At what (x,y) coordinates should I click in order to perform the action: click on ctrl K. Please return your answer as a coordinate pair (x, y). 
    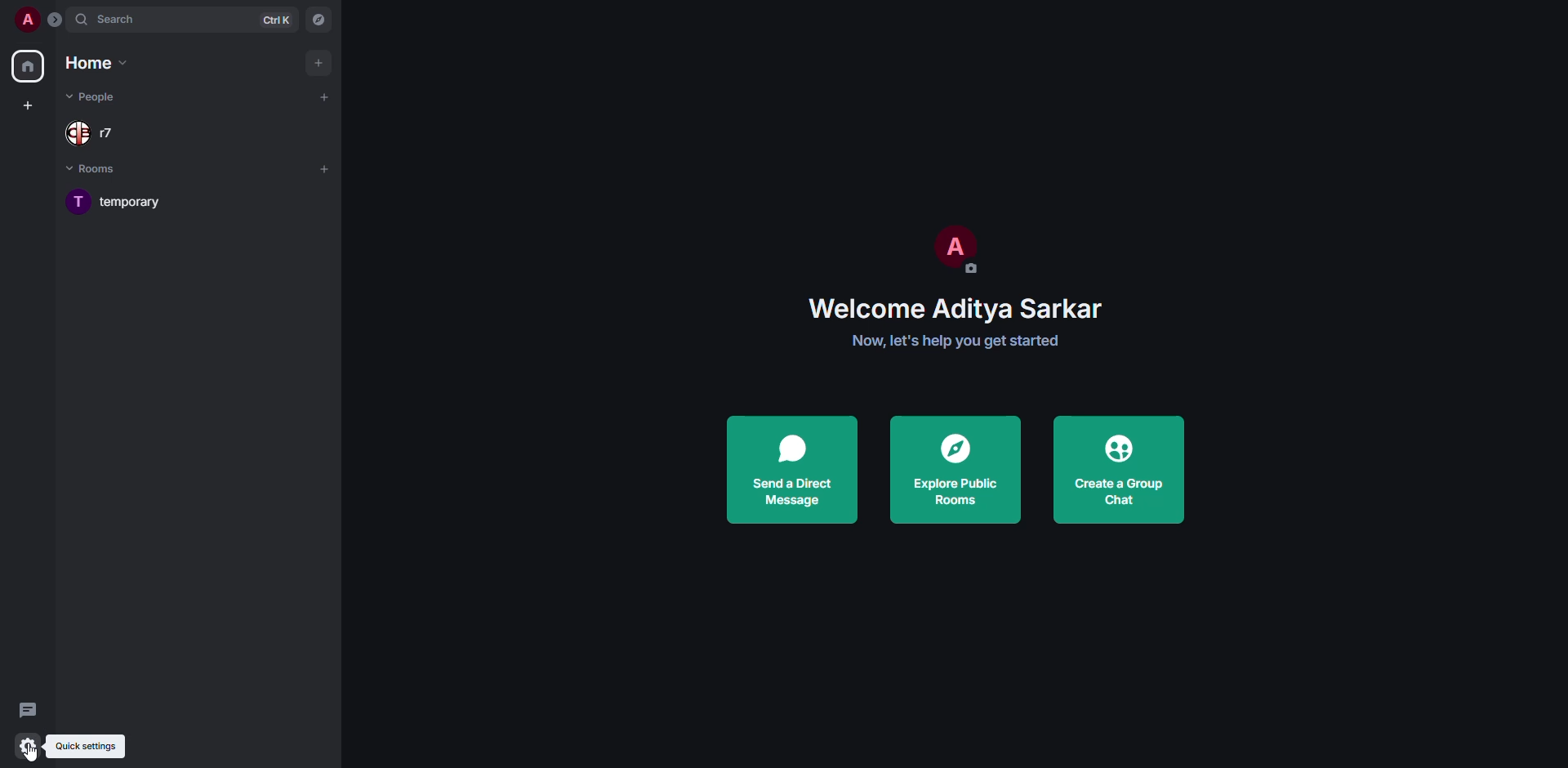
    Looking at the image, I should click on (277, 19).